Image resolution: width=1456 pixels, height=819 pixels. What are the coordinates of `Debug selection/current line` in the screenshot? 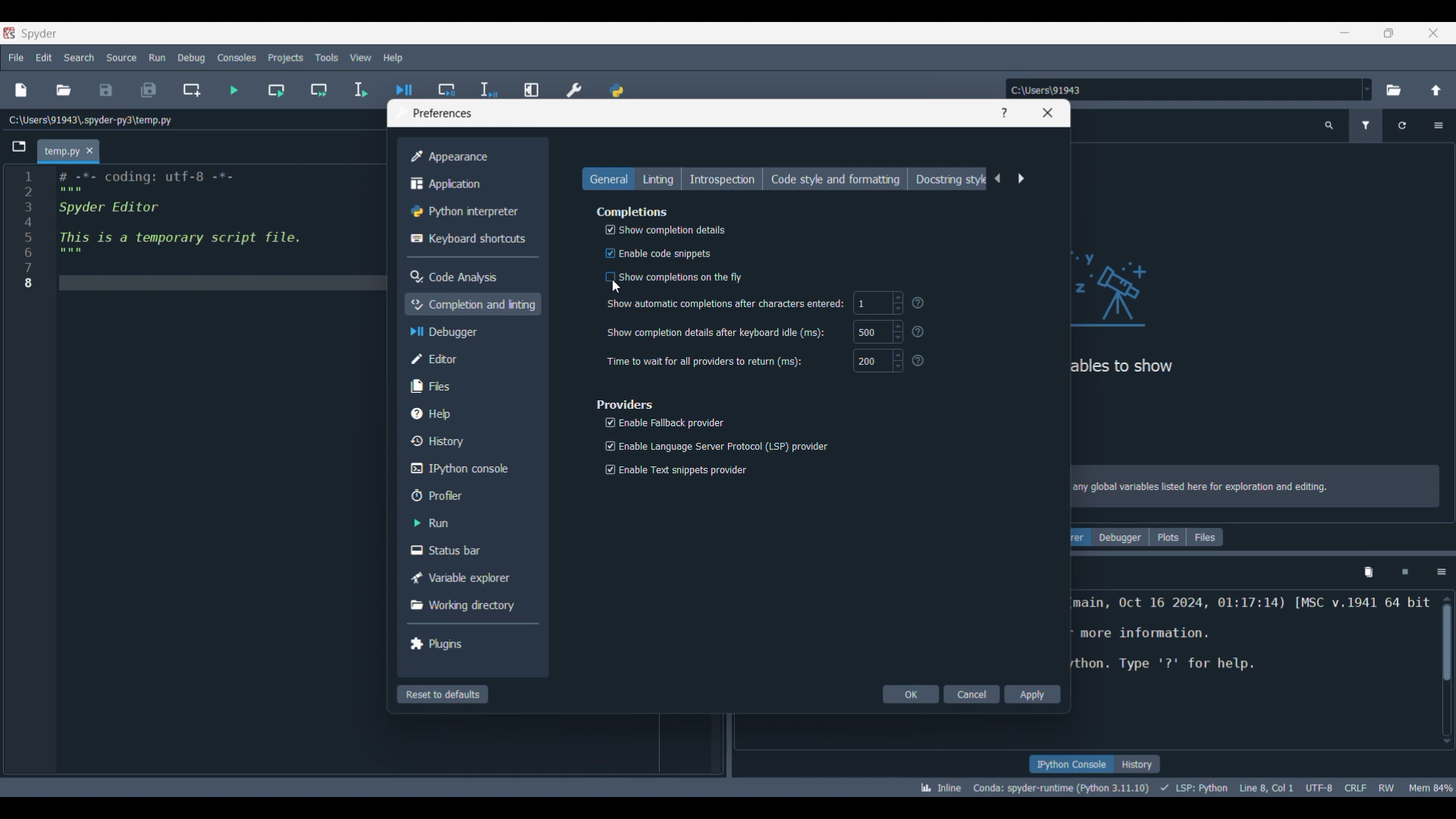 It's located at (488, 86).